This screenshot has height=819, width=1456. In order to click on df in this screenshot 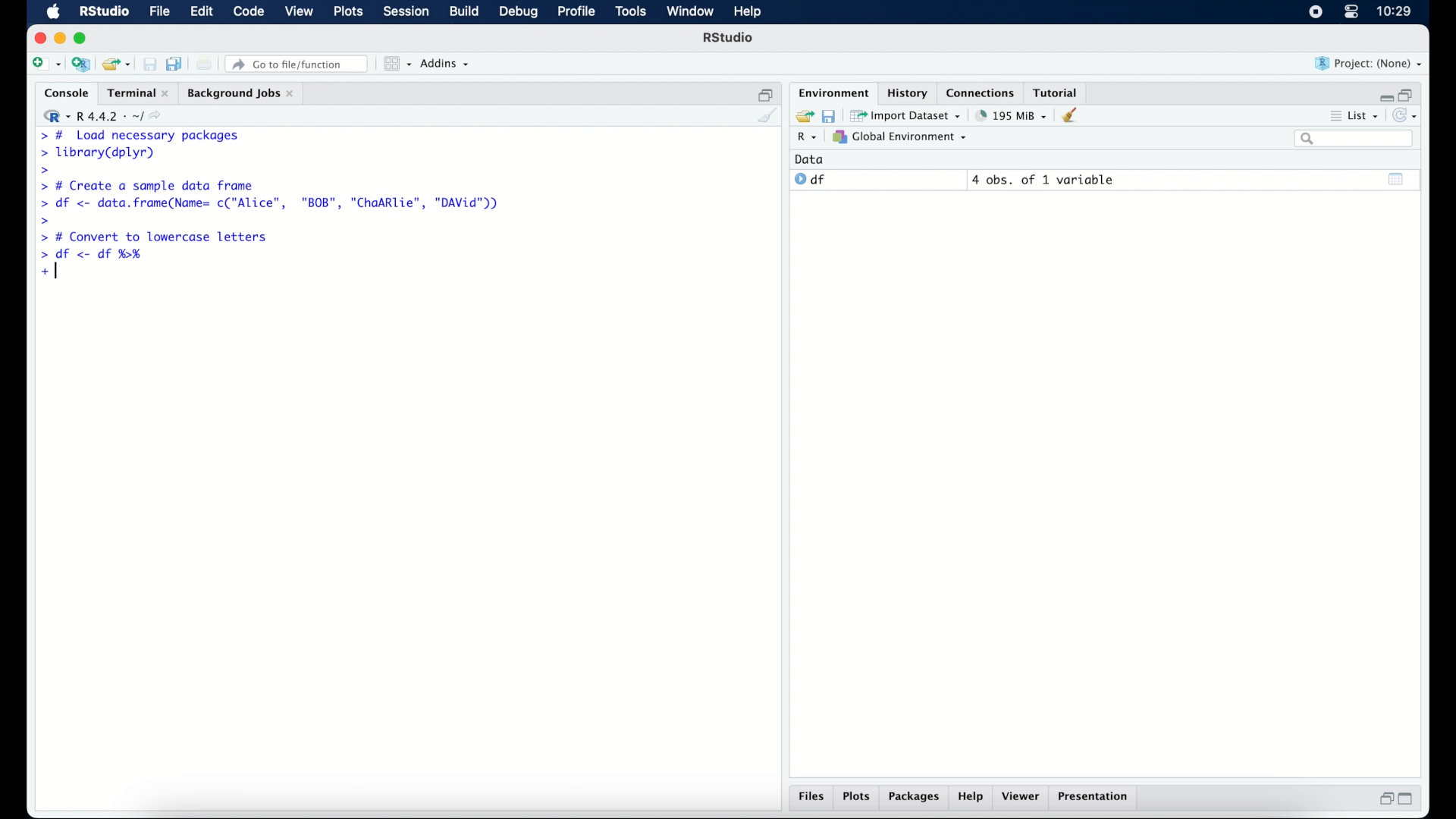, I will do `click(810, 180)`.